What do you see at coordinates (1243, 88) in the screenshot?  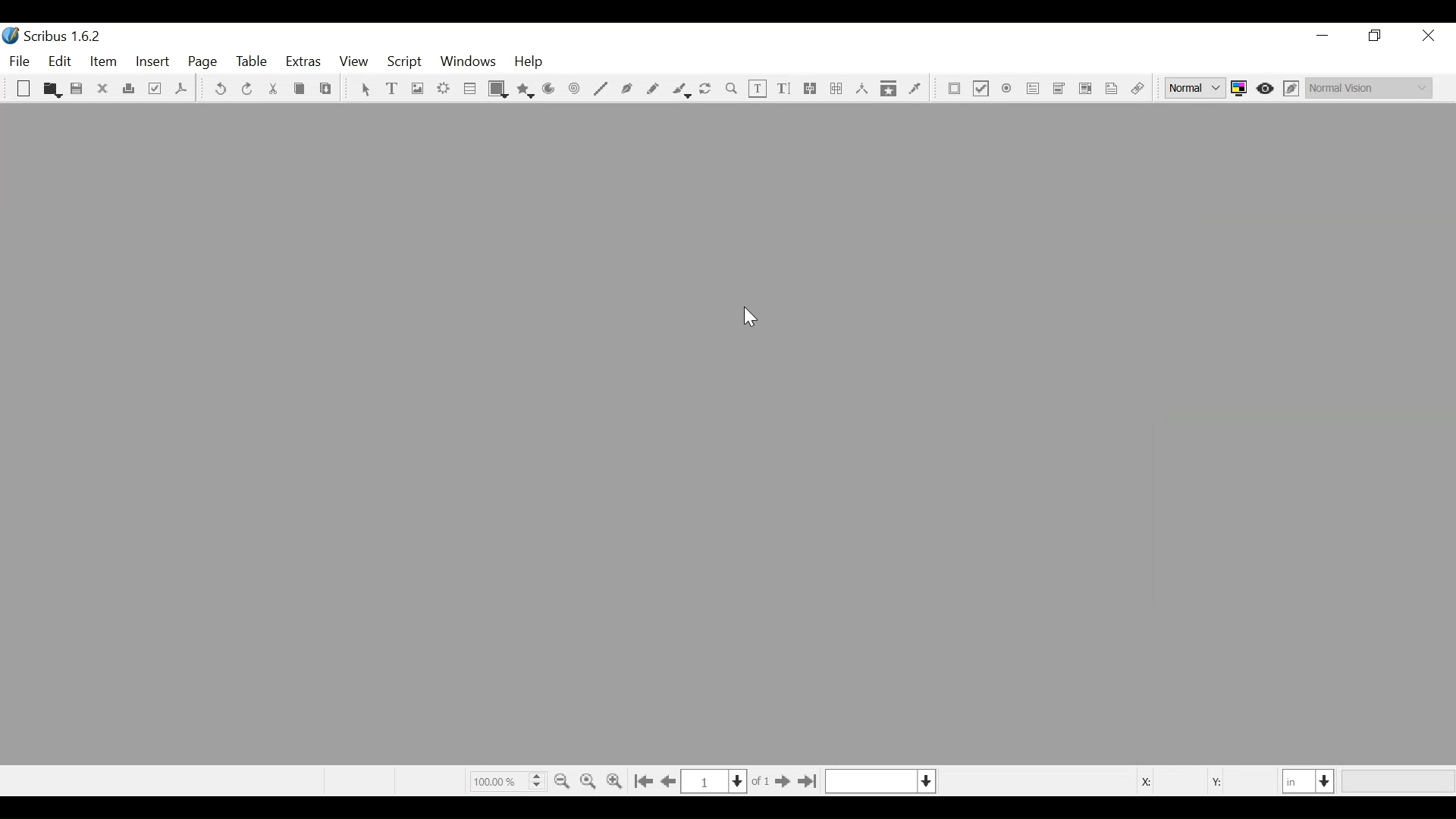 I see `Toggle color` at bounding box center [1243, 88].